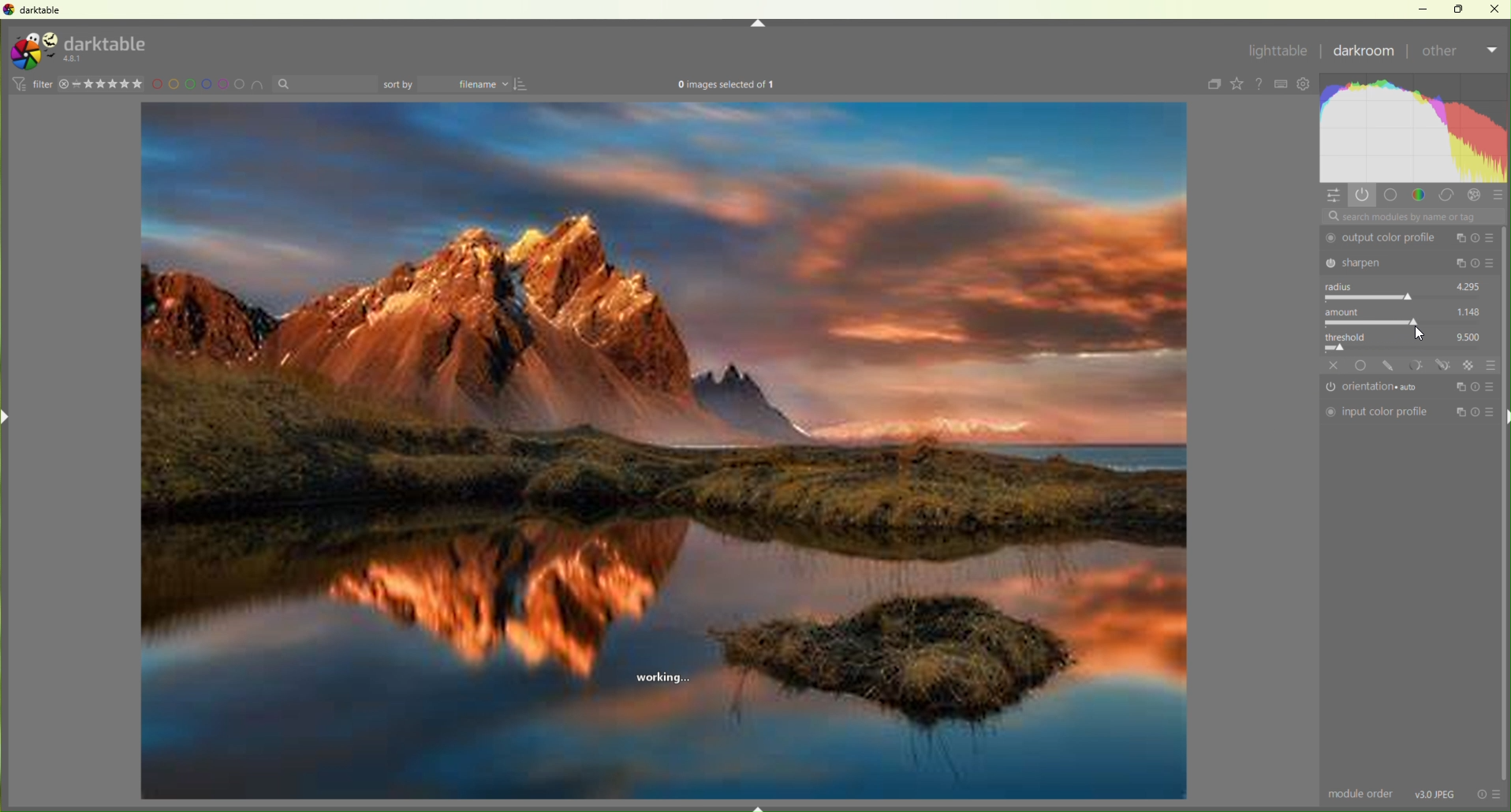  I want to click on Effects, so click(1470, 365).